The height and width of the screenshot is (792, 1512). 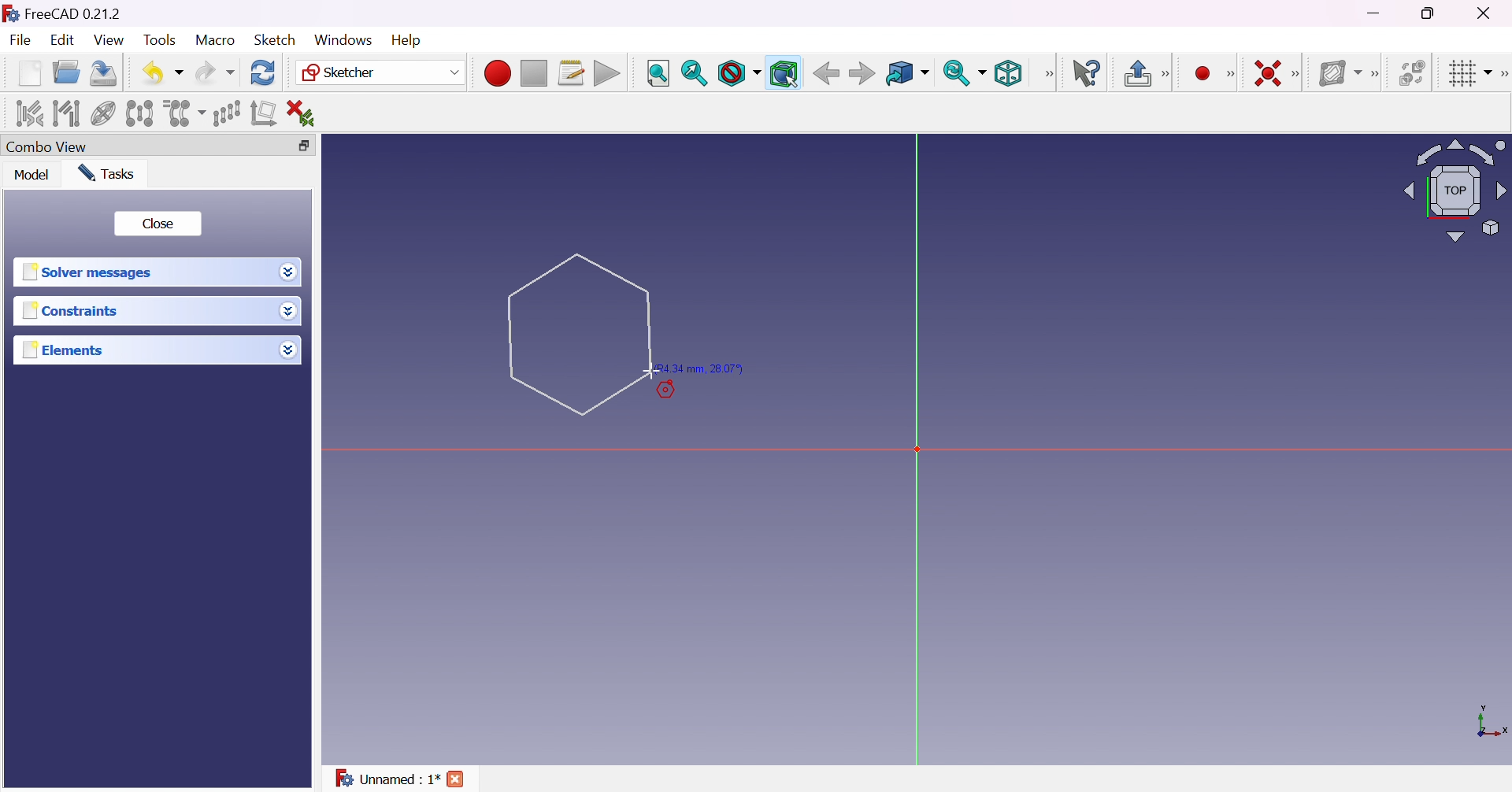 What do you see at coordinates (140, 113) in the screenshot?
I see `Symmetry` at bounding box center [140, 113].